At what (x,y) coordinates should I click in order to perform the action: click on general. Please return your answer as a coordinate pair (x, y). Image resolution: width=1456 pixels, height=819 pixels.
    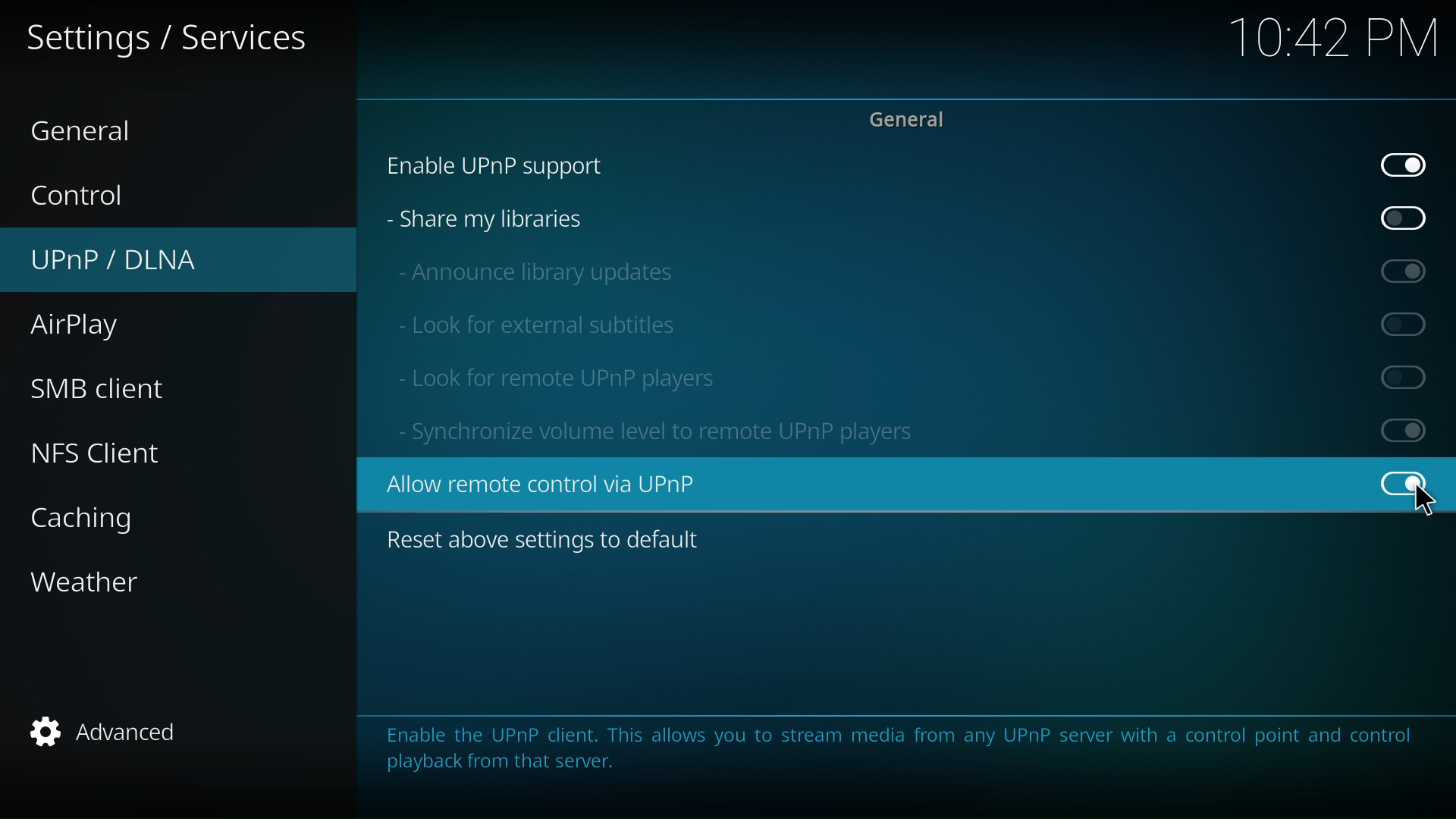
    Looking at the image, I should click on (907, 118).